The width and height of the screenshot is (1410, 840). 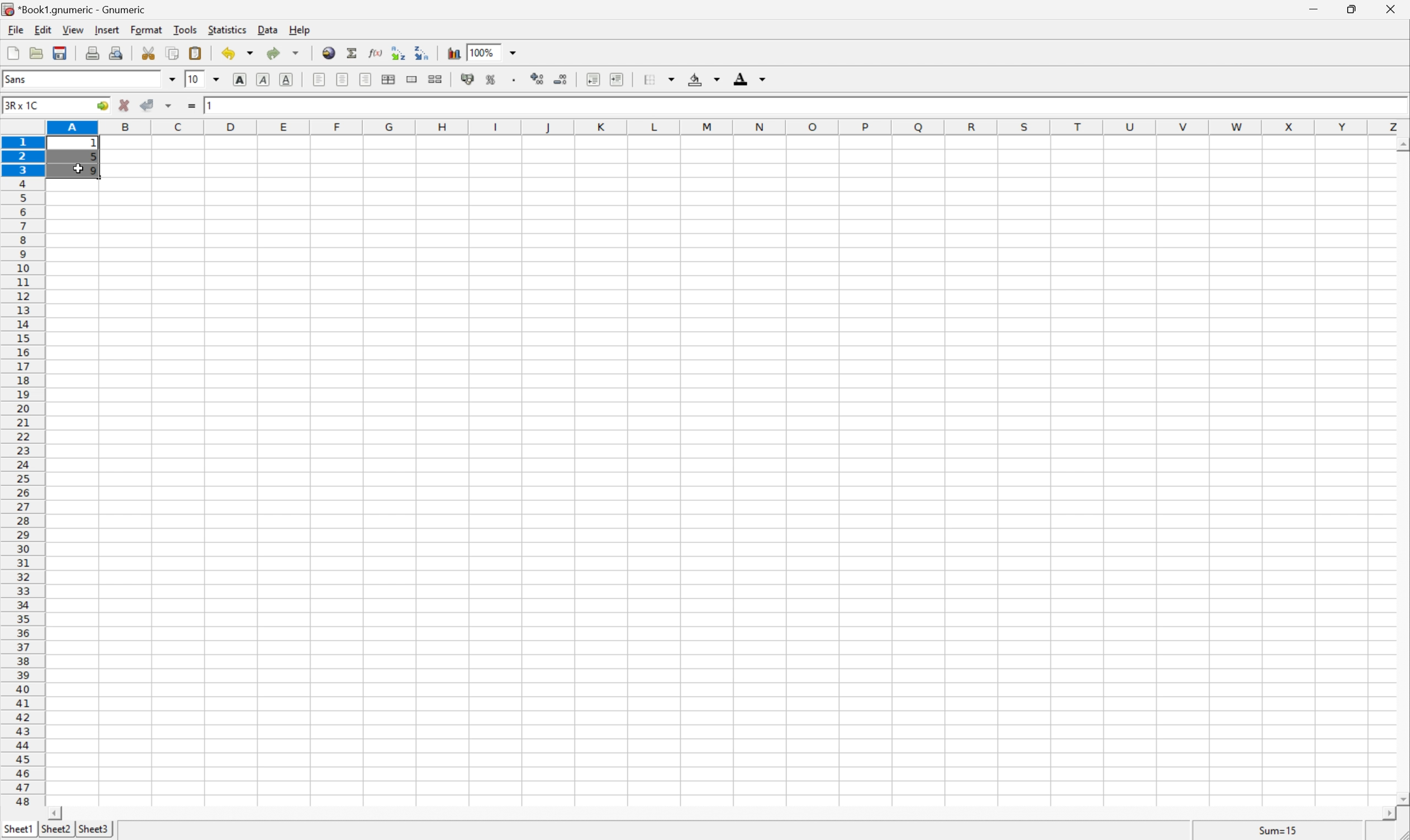 What do you see at coordinates (226, 29) in the screenshot?
I see `statistics` at bounding box center [226, 29].